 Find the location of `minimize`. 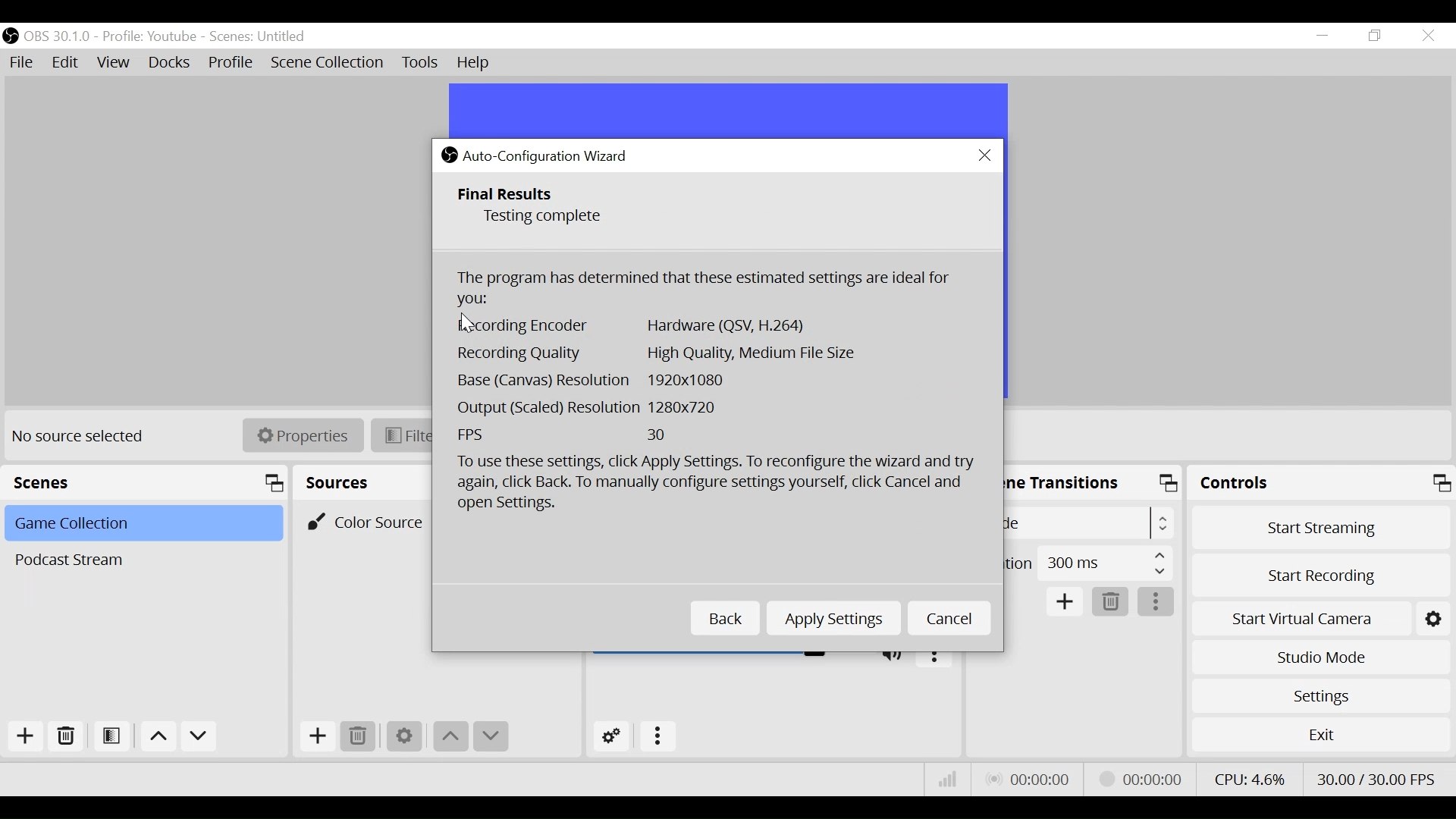

minimize is located at coordinates (1321, 35).